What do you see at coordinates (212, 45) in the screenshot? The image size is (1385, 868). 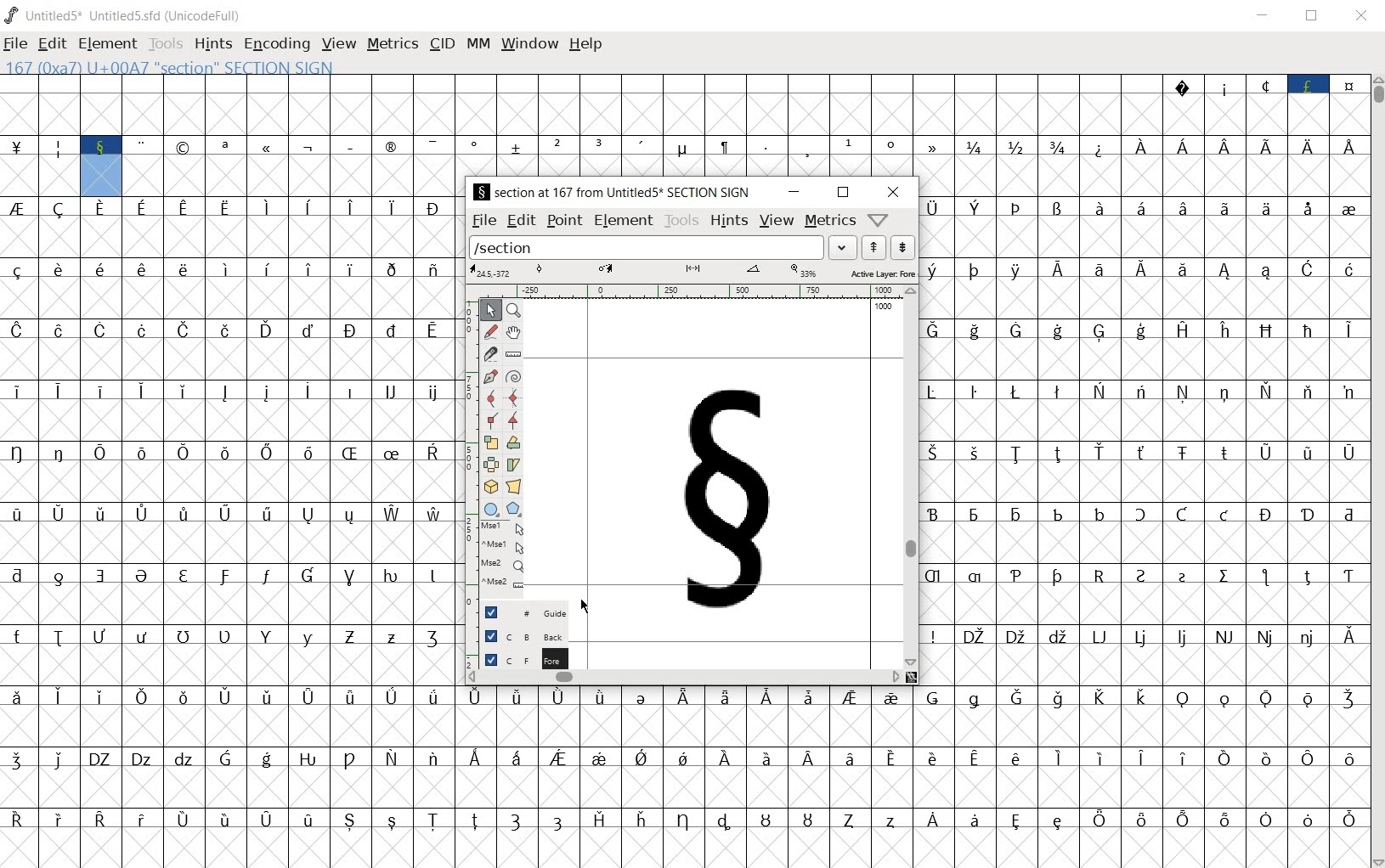 I see `HINTS` at bounding box center [212, 45].